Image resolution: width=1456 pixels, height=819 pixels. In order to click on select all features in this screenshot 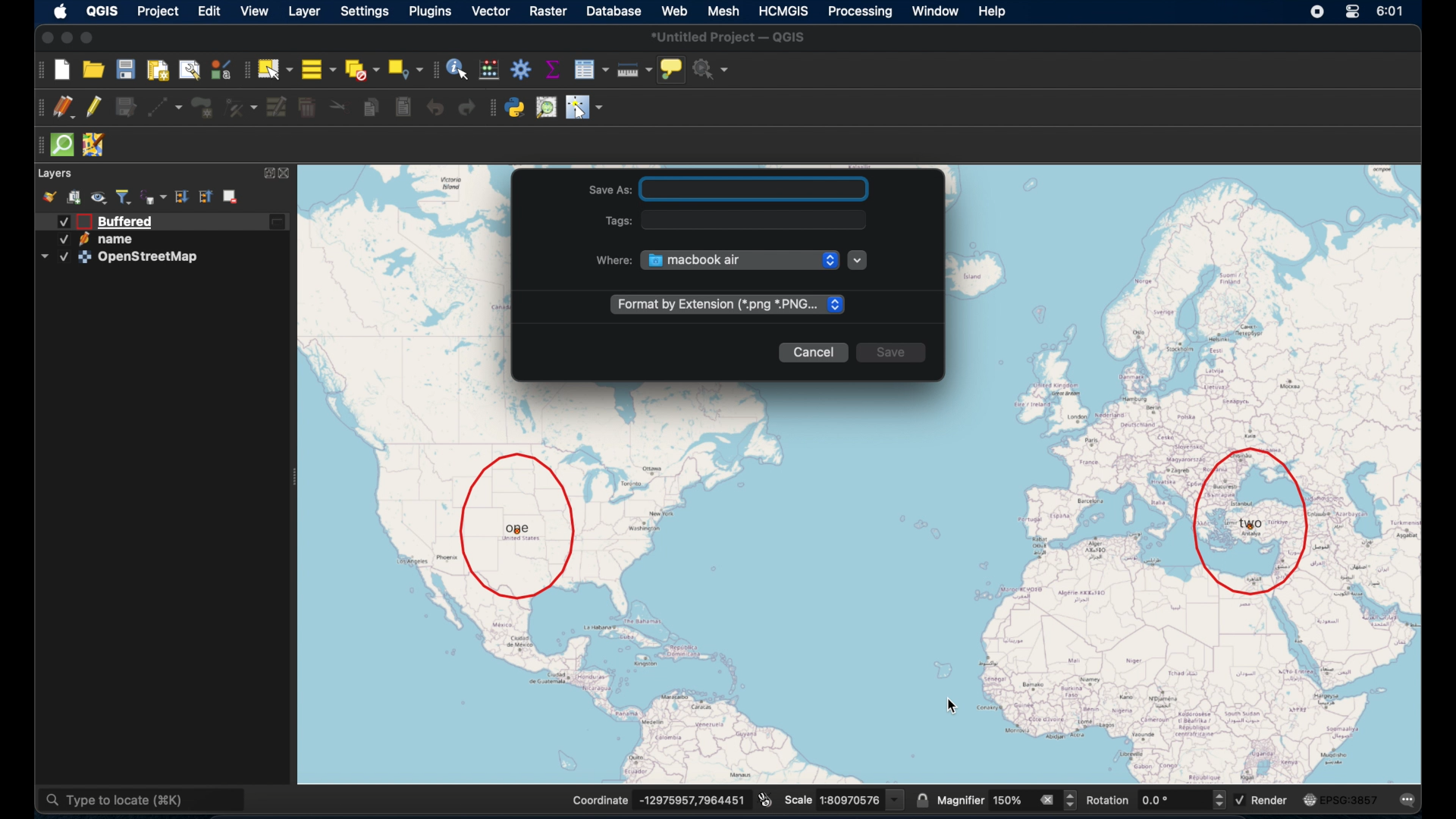, I will do `click(317, 68)`.